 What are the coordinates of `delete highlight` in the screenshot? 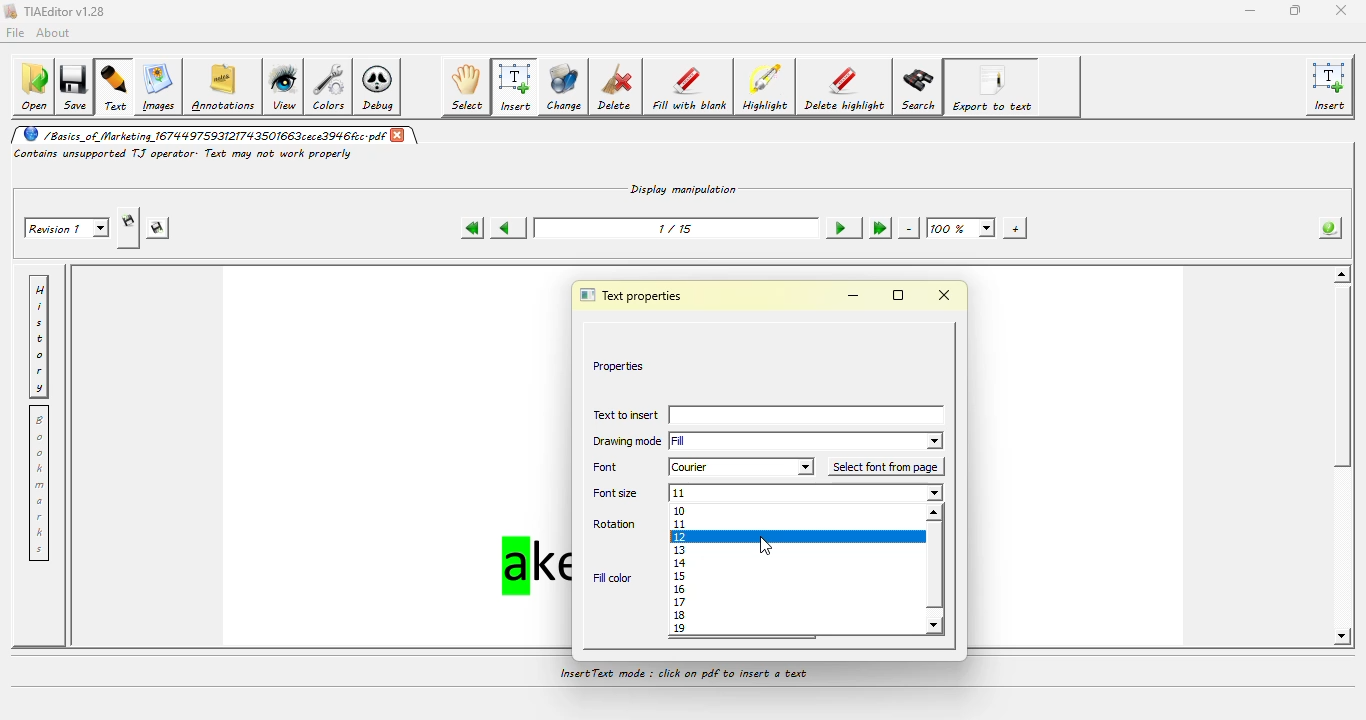 It's located at (845, 87).